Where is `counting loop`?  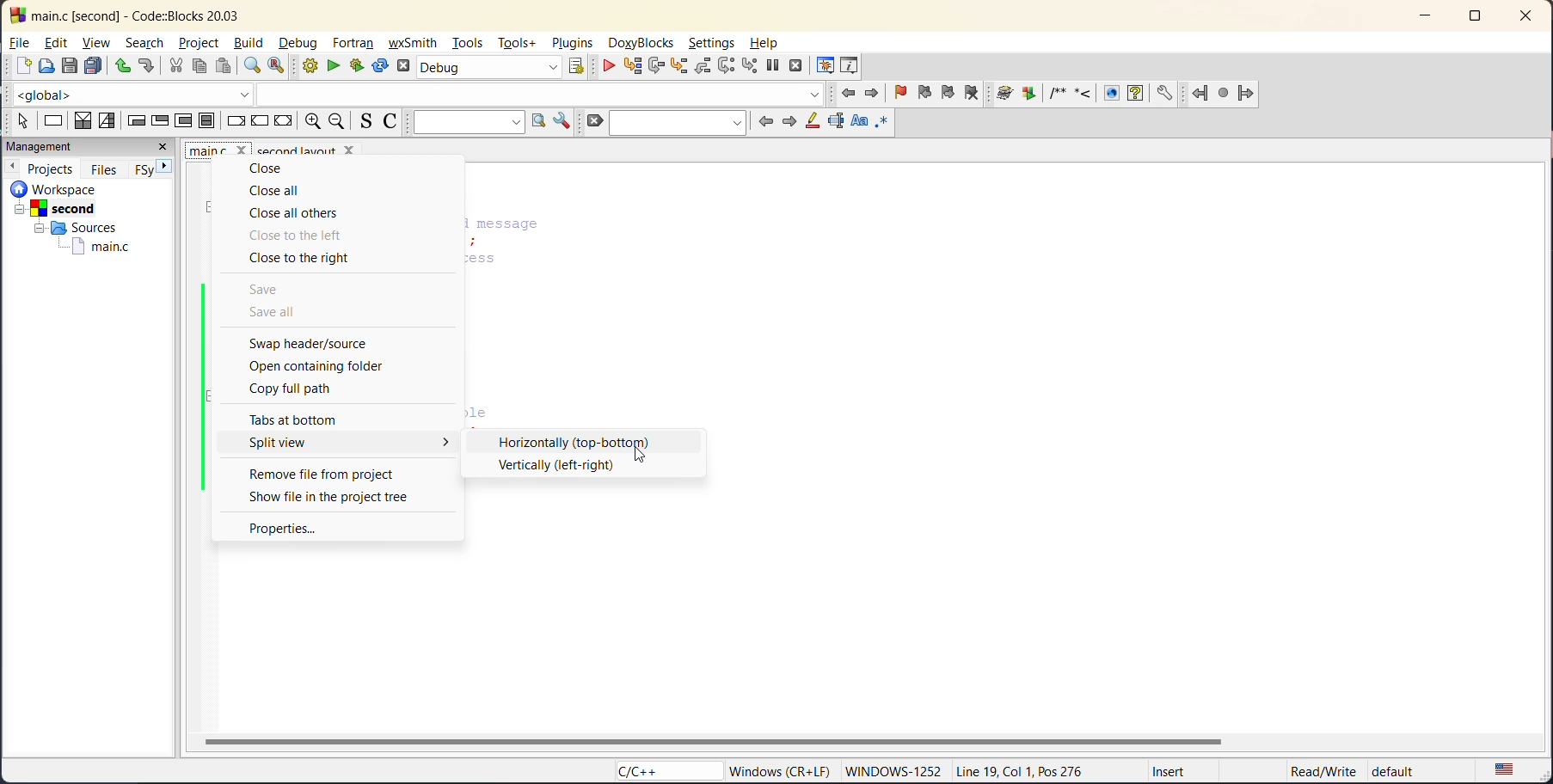 counting loop is located at coordinates (185, 121).